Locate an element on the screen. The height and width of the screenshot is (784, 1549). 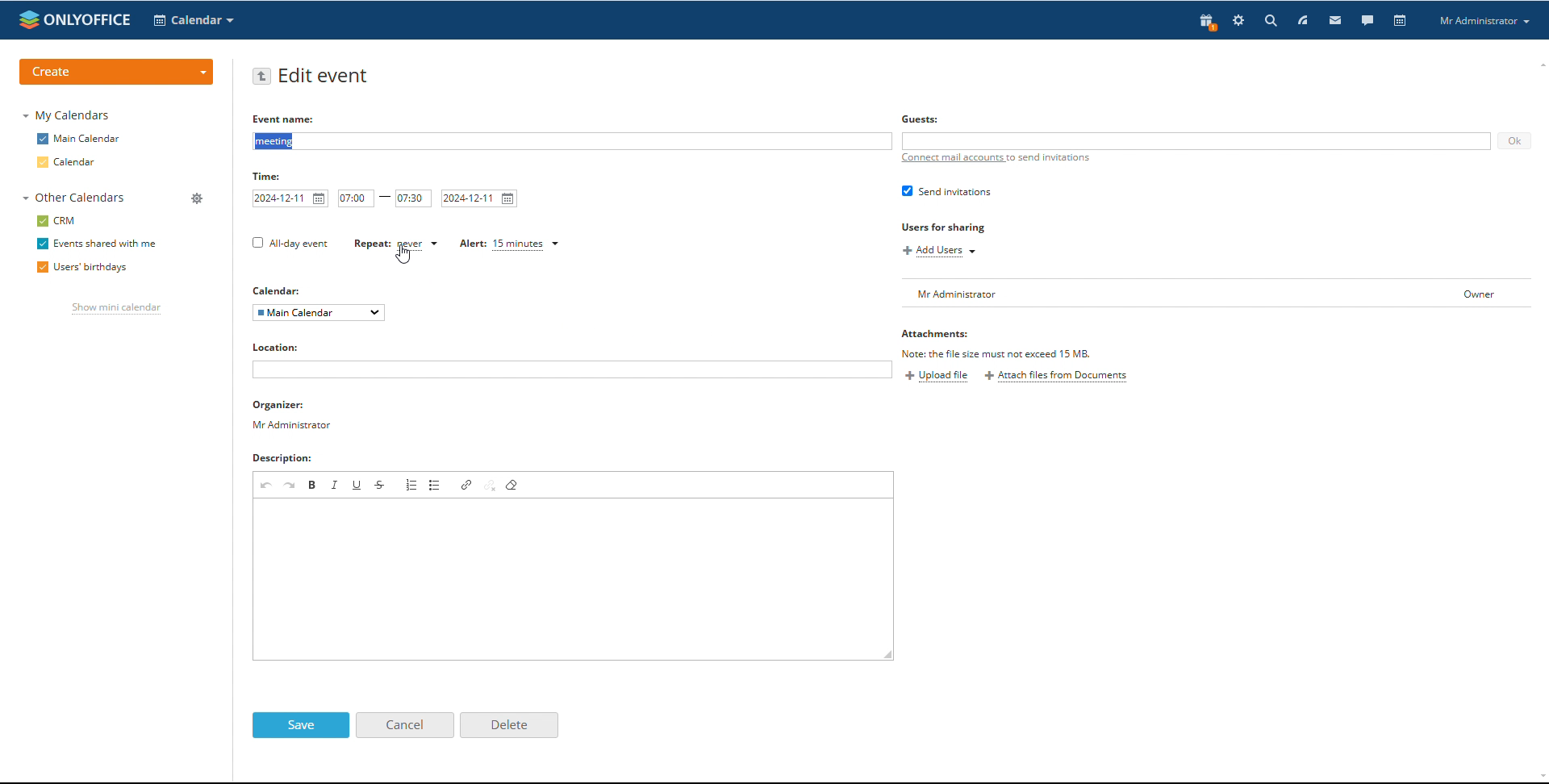
add location is located at coordinates (571, 370).